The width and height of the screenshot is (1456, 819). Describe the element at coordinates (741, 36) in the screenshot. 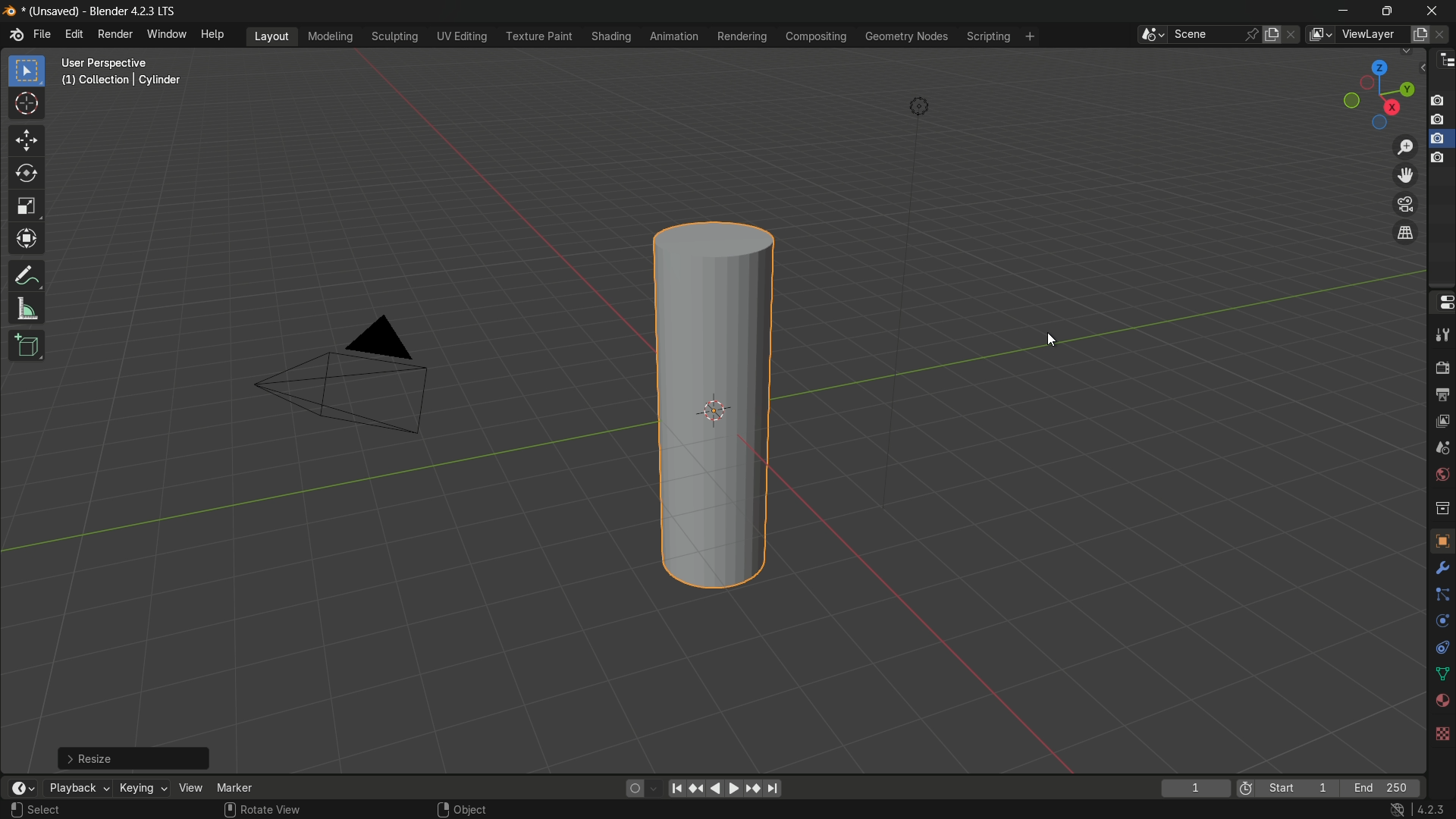

I see `rendering` at that location.